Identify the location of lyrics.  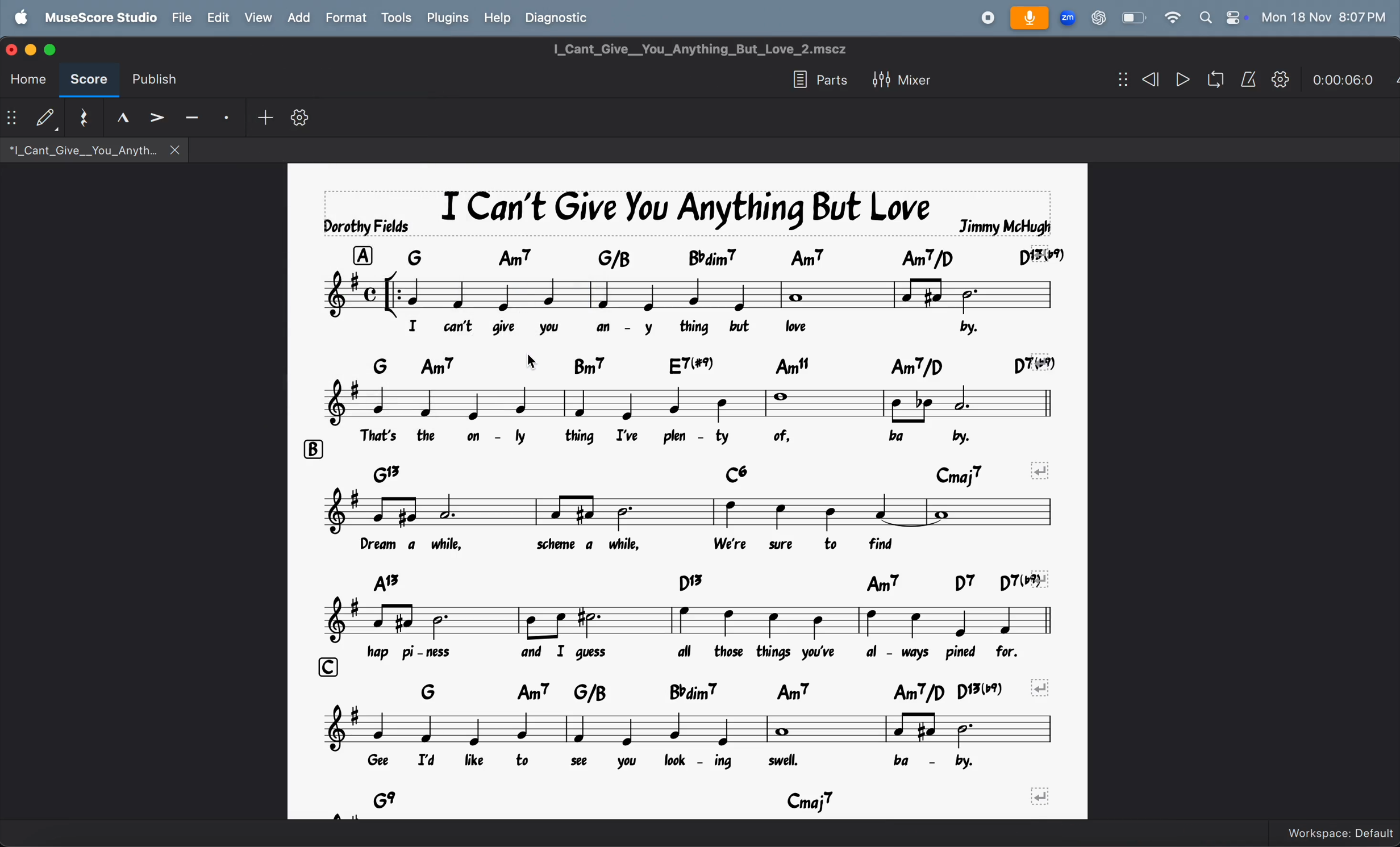
(681, 545).